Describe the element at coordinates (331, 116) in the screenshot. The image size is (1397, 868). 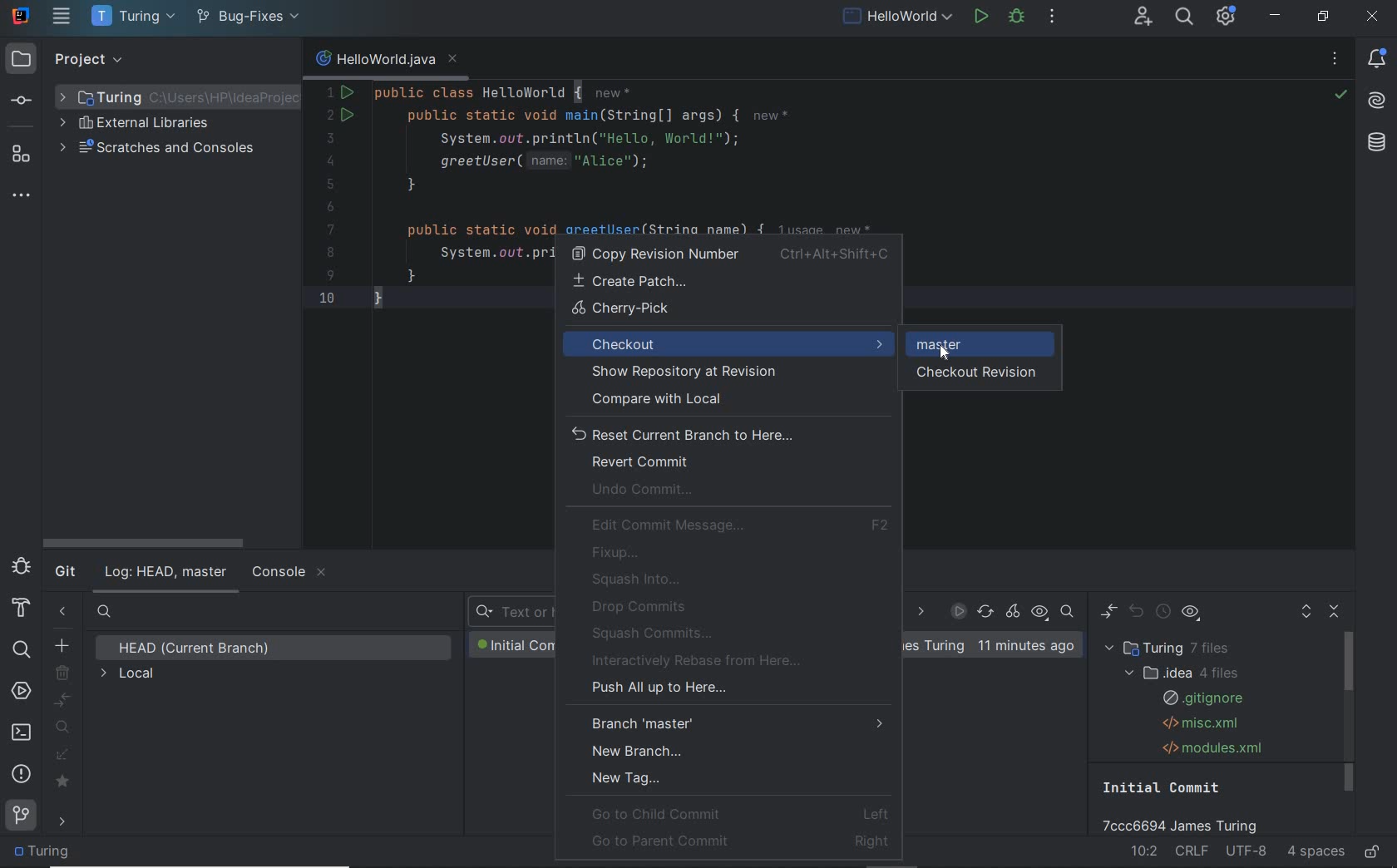
I see `2` at that location.